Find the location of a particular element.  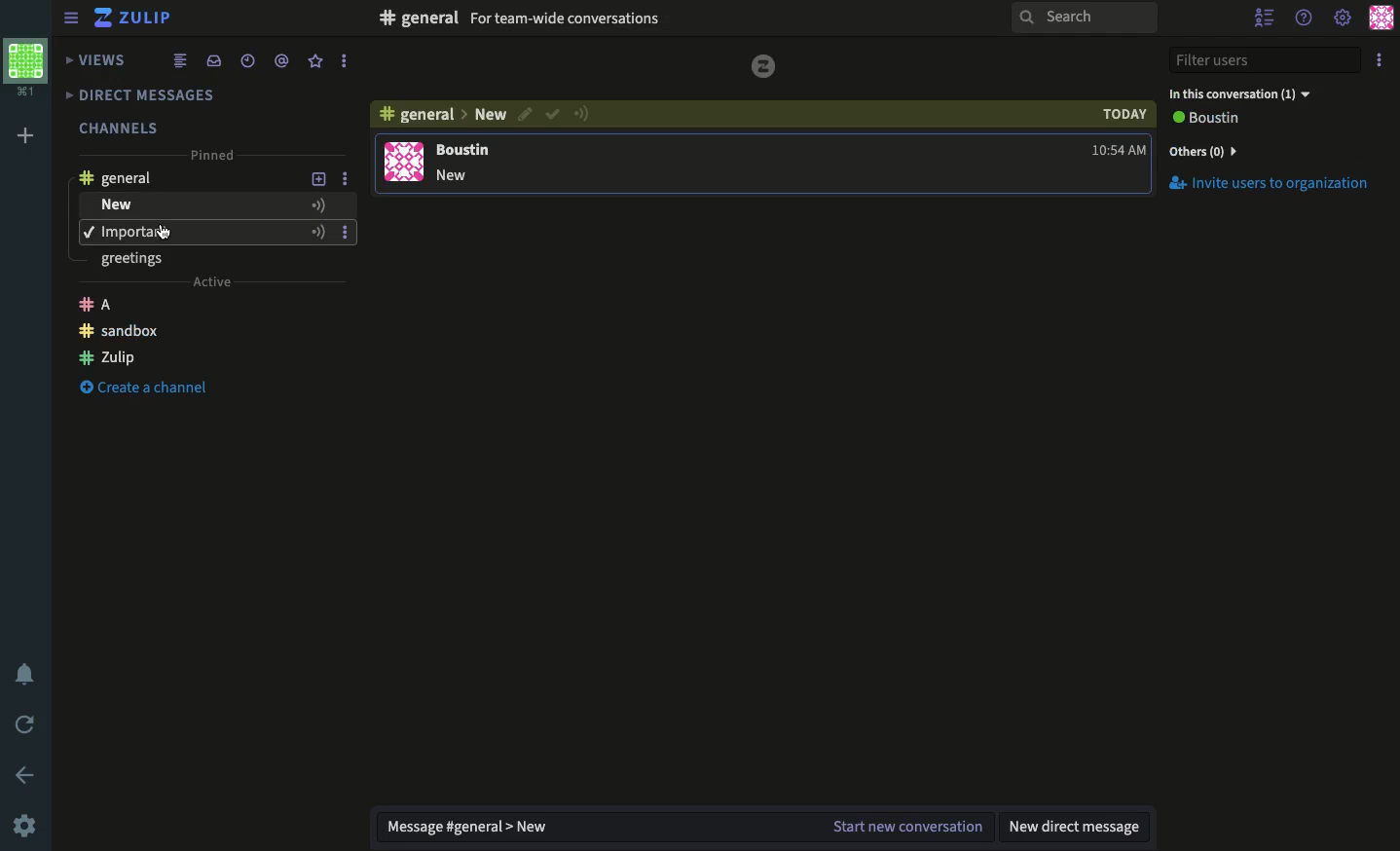

Zulip is located at coordinates (177, 360).